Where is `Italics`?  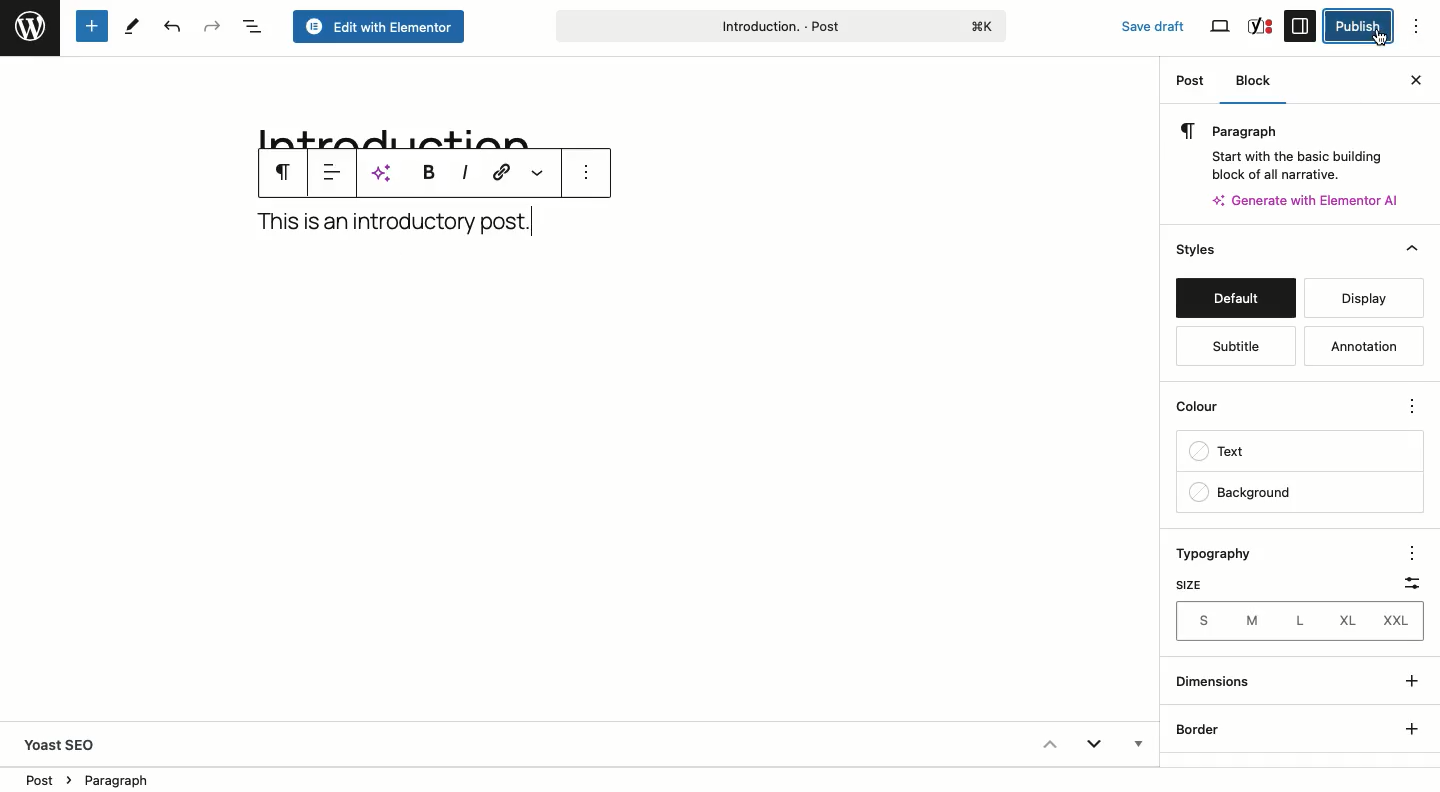
Italics is located at coordinates (465, 171).